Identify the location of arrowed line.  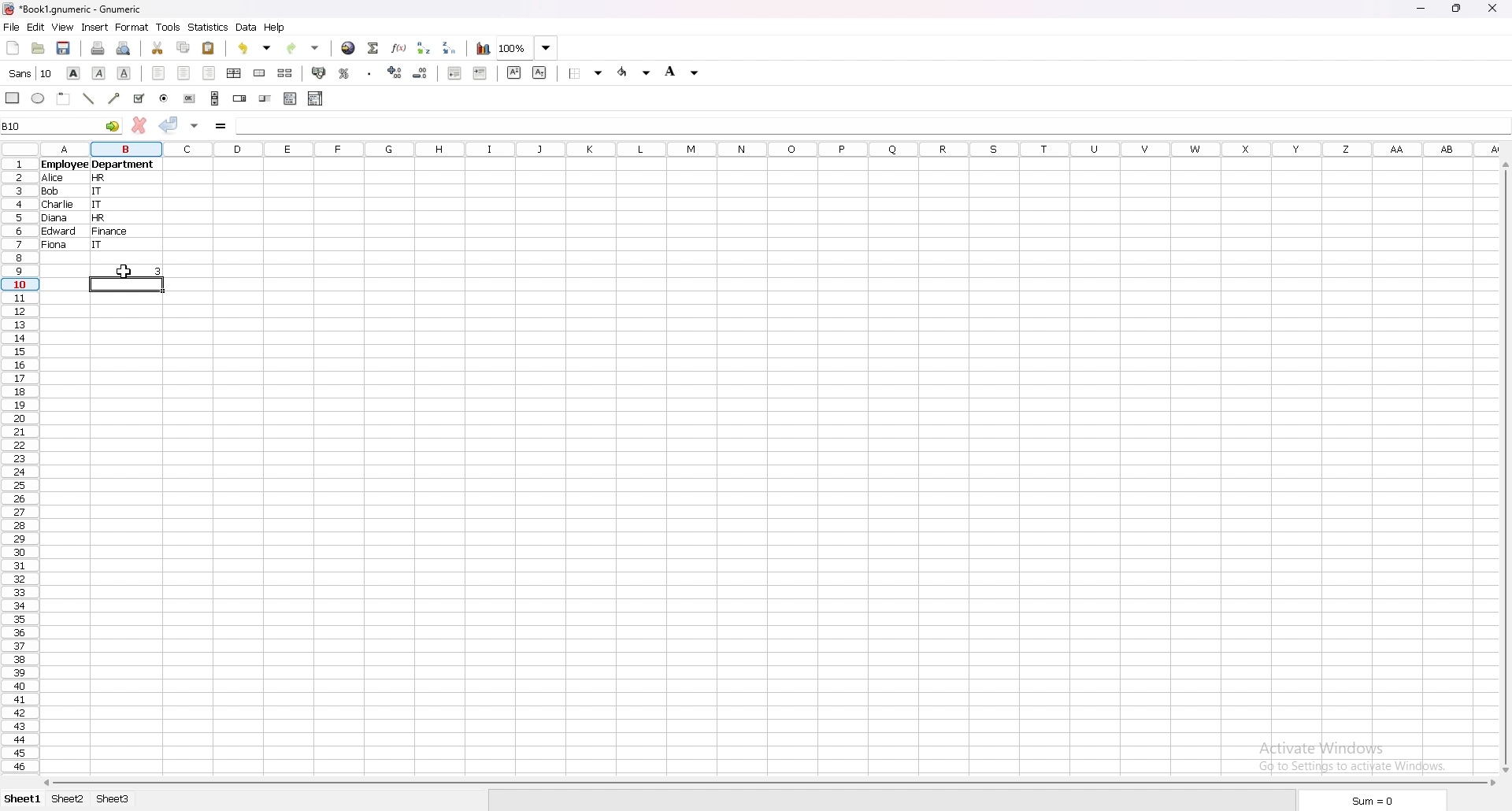
(114, 98).